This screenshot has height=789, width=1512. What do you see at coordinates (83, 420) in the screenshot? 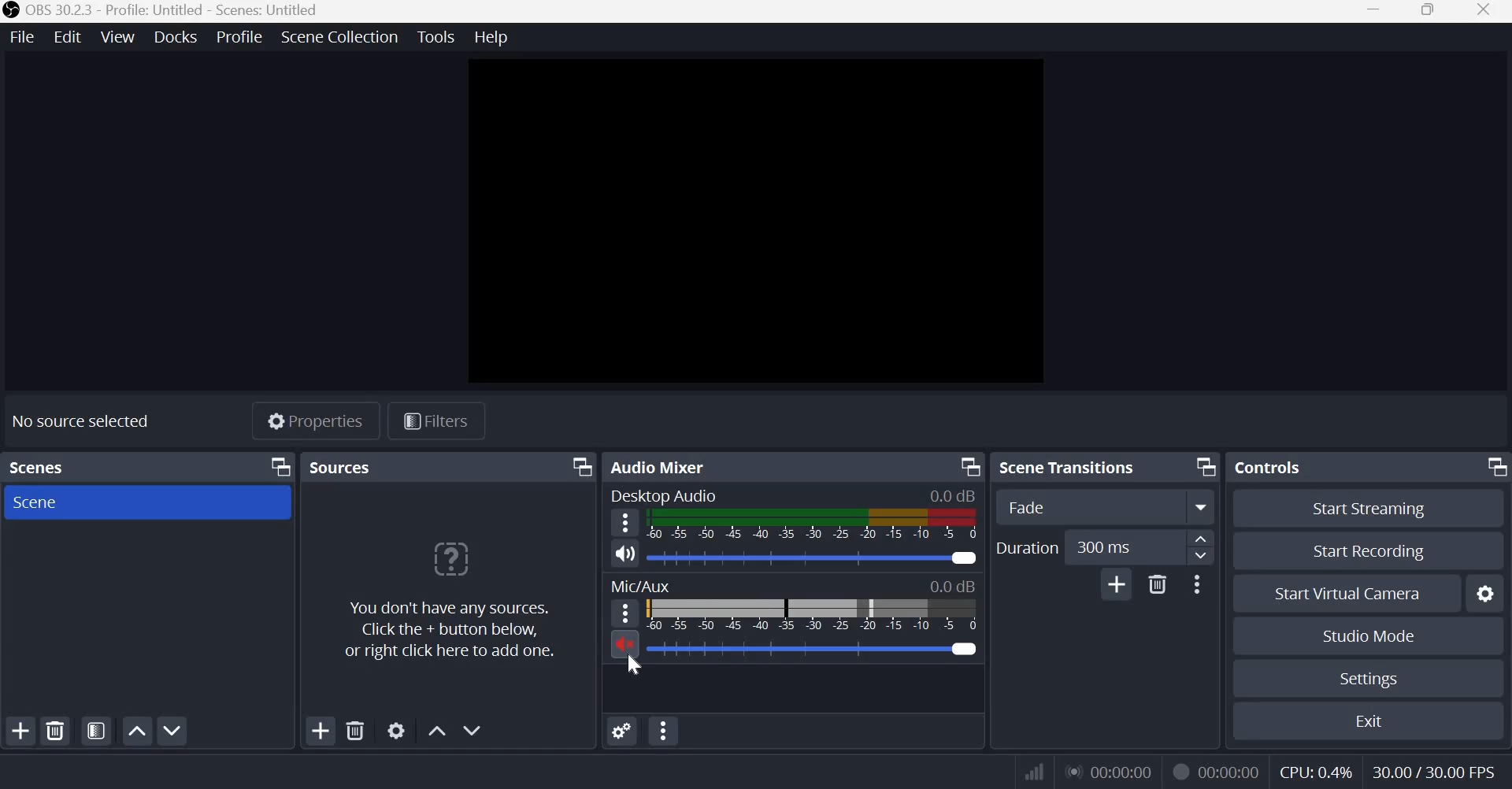
I see `No source selected` at bounding box center [83, 420].